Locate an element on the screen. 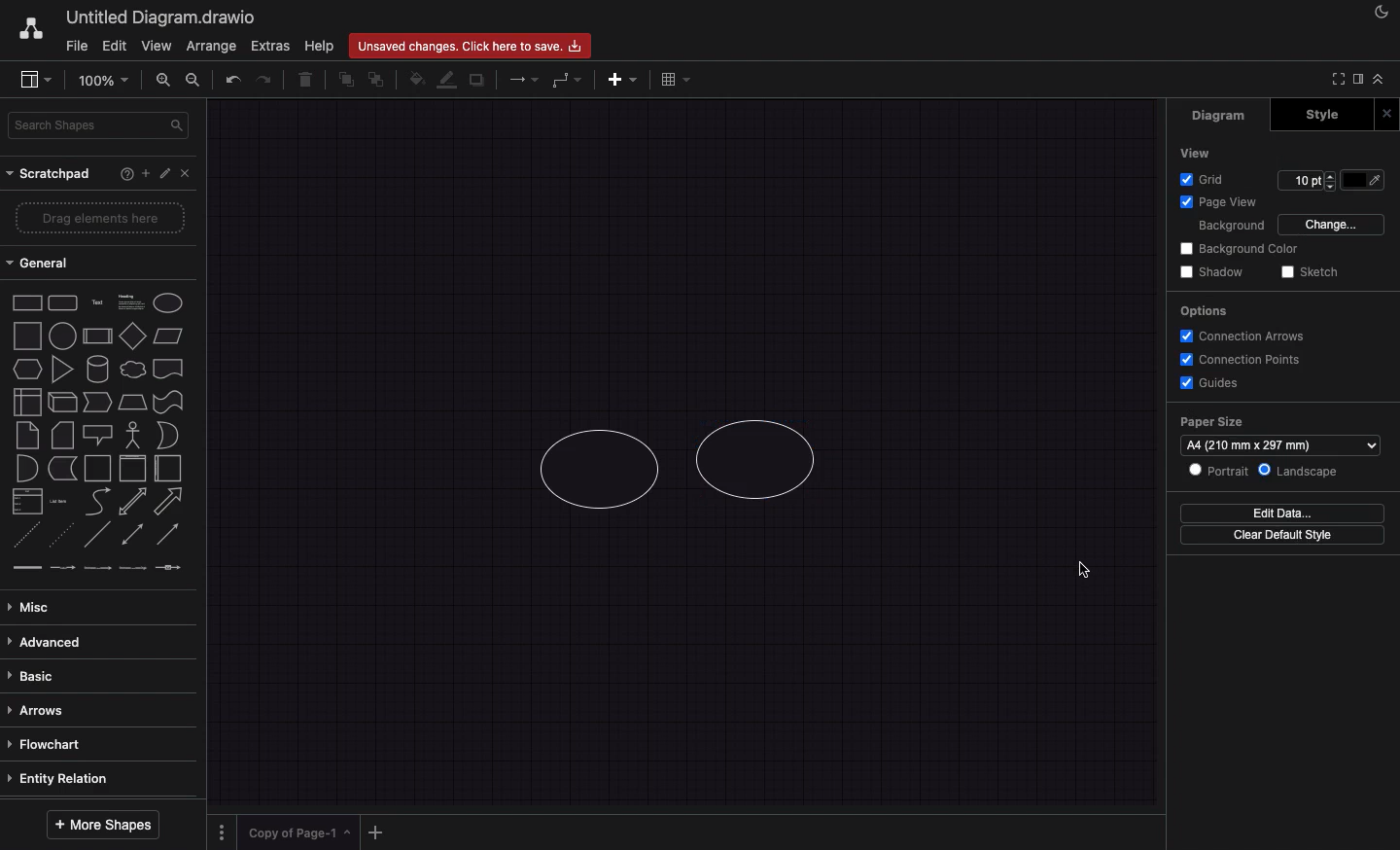 The height and width of the screenshot is (850, 1400). landscape is located at coordinates (1301, 472).